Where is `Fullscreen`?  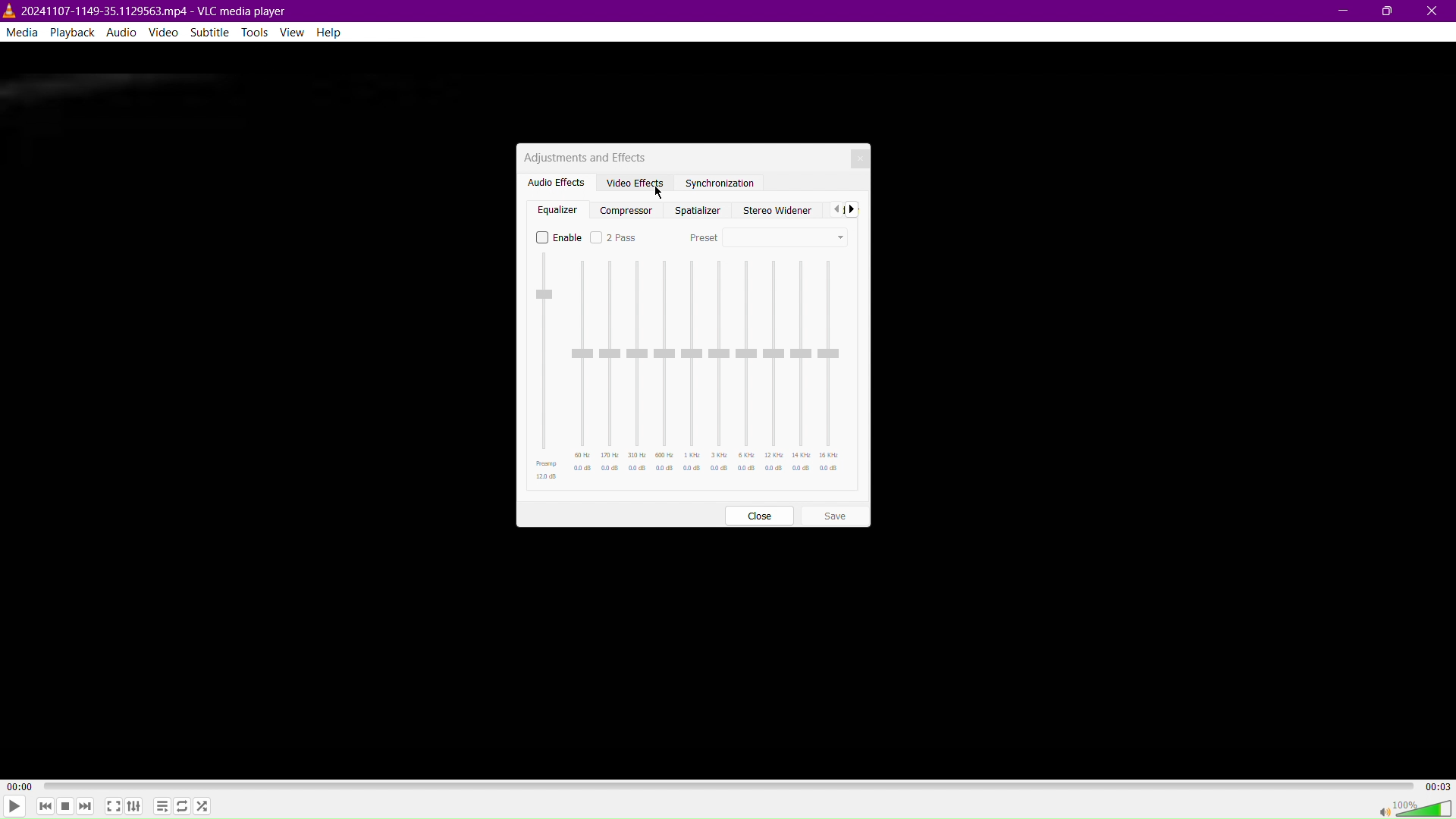
Fullscreen is located at coordinates (113, 806).